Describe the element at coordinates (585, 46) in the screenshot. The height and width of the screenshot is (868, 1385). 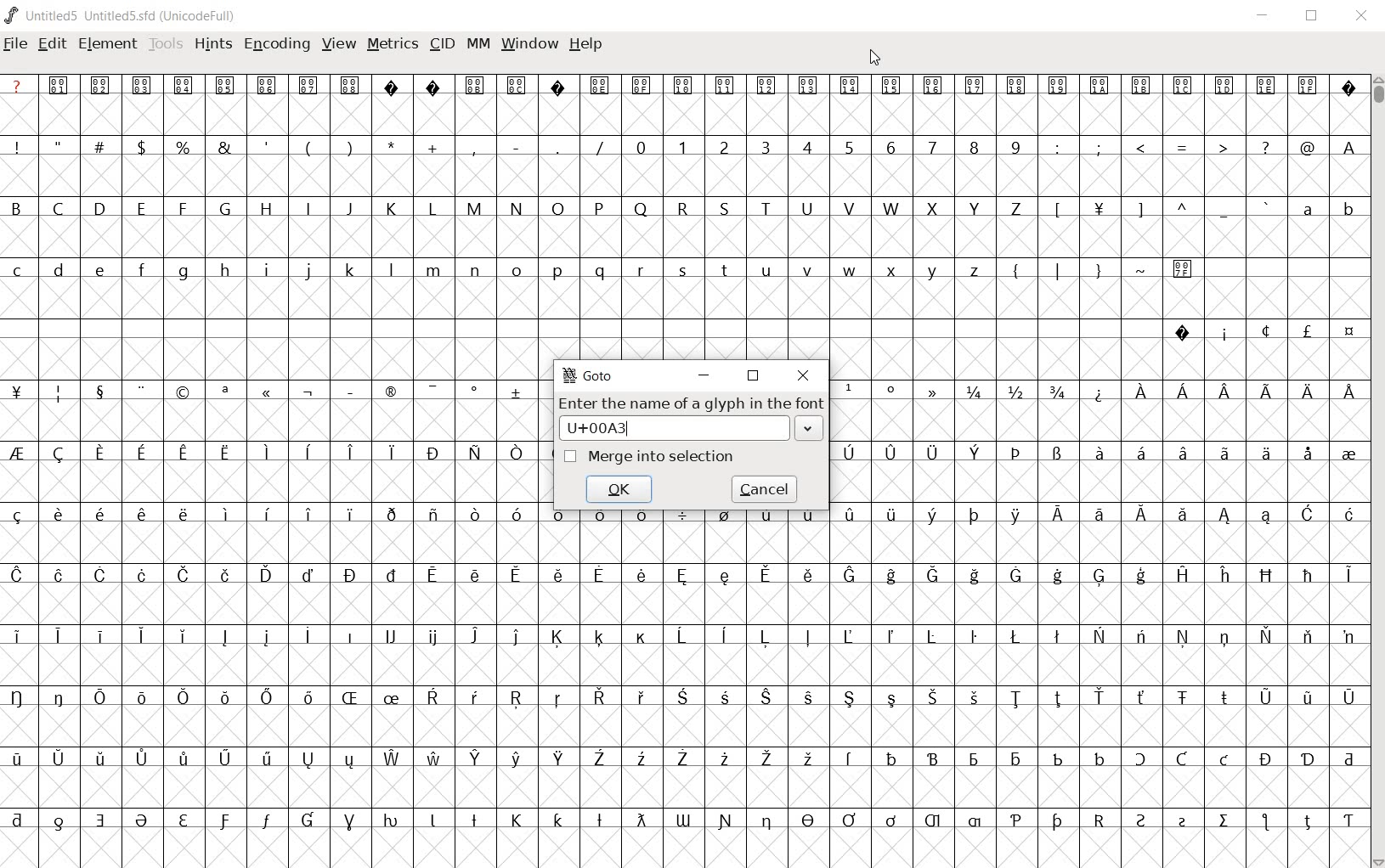
I see `HELP` at that location.